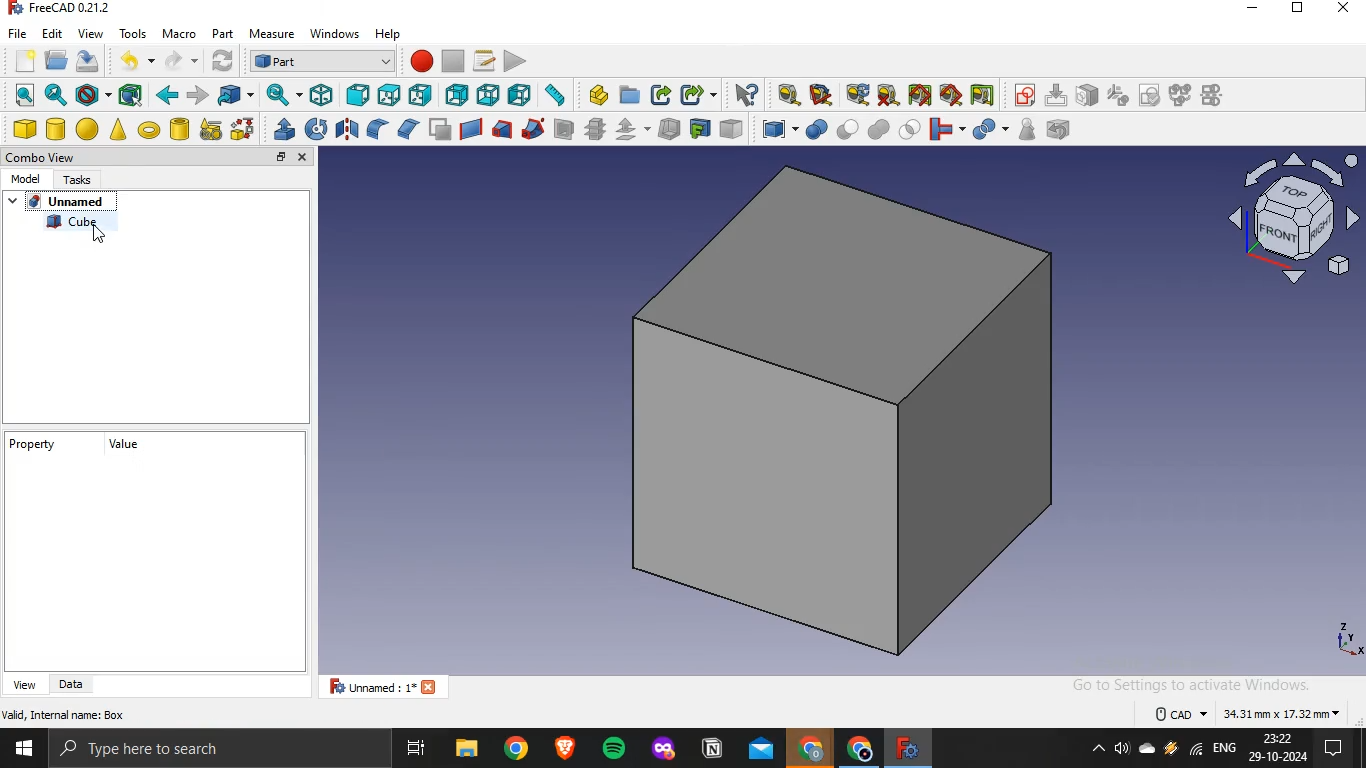 This screenshot has height=768, width=1366. I want to click on what's this, so click(746, 95).